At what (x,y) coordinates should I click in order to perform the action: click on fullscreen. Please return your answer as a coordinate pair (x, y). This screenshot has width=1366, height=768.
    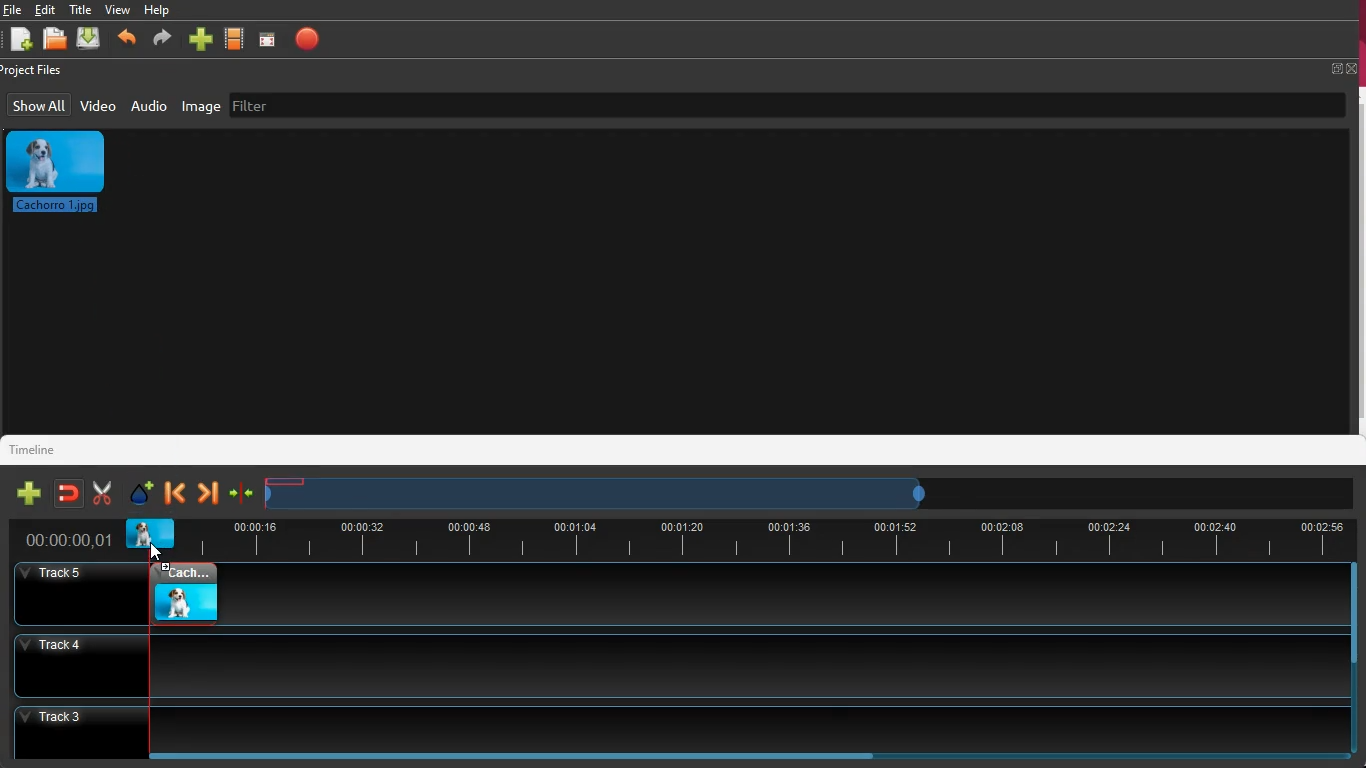
    Looking at the image, I should click on (1342, 66).